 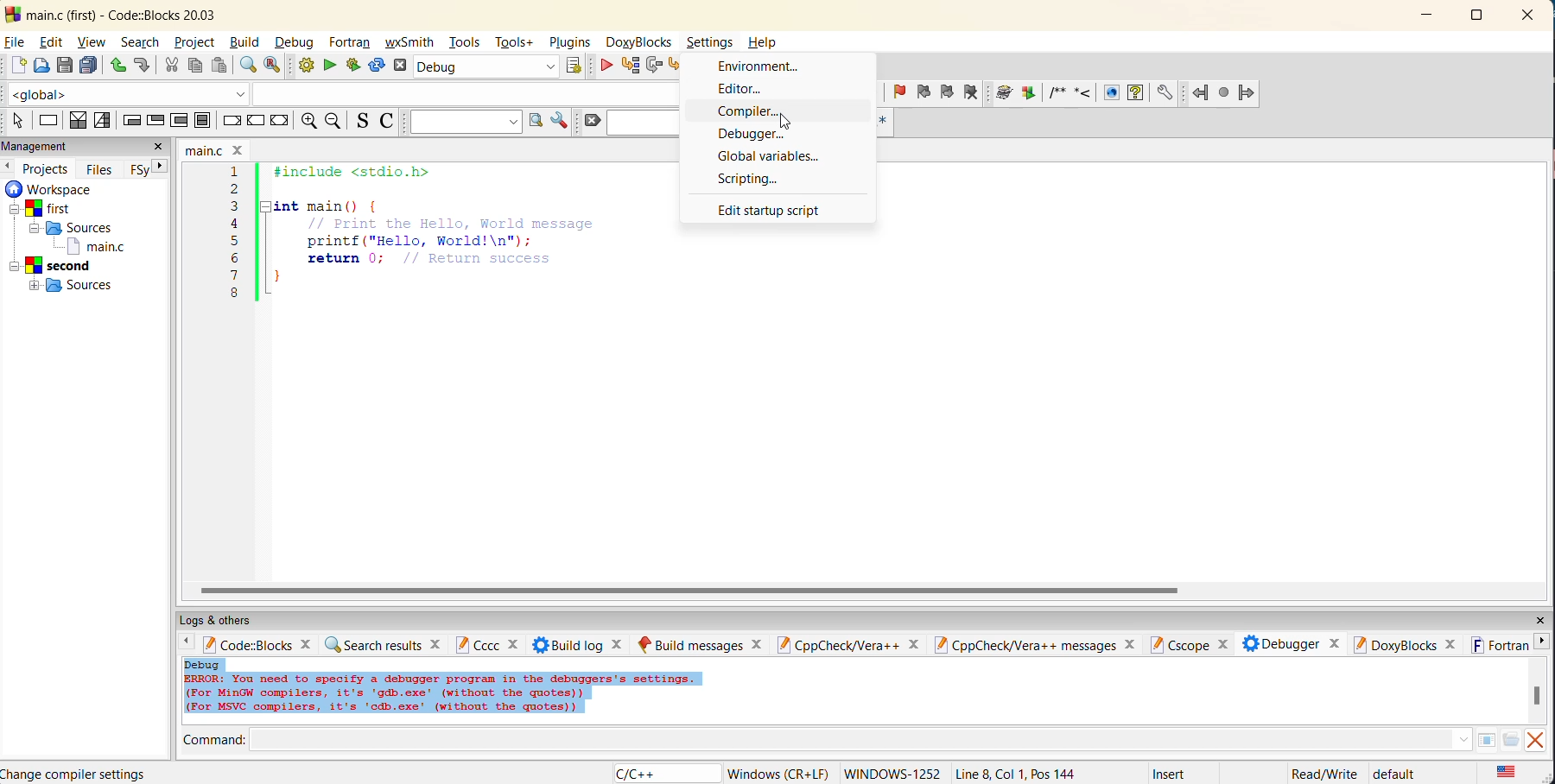 What do you see at coordinates (1545, 646) in the screenshot?
I see `next` at bounding box center [1545, 646].